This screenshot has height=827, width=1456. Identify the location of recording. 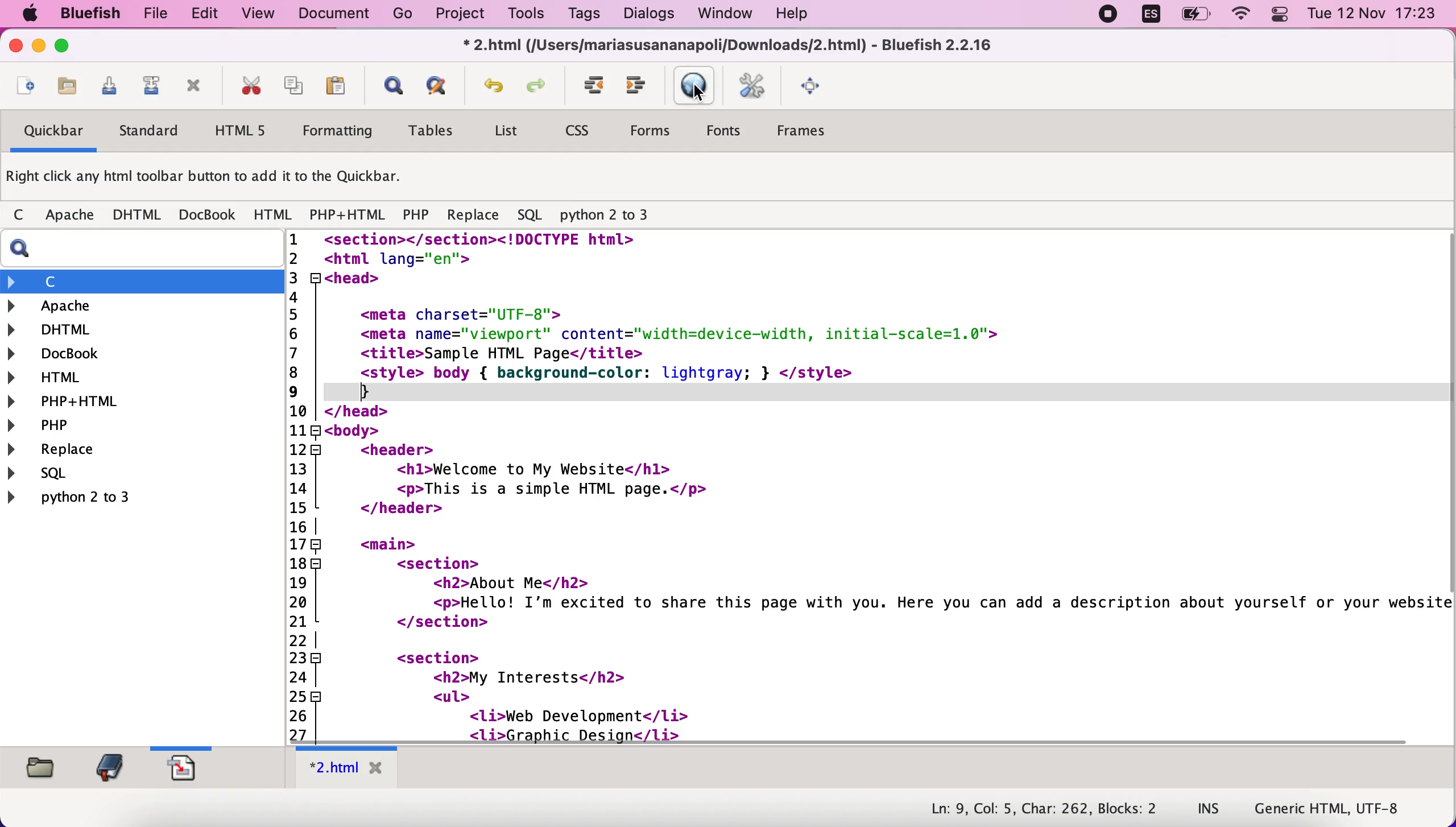
(1107, 16).